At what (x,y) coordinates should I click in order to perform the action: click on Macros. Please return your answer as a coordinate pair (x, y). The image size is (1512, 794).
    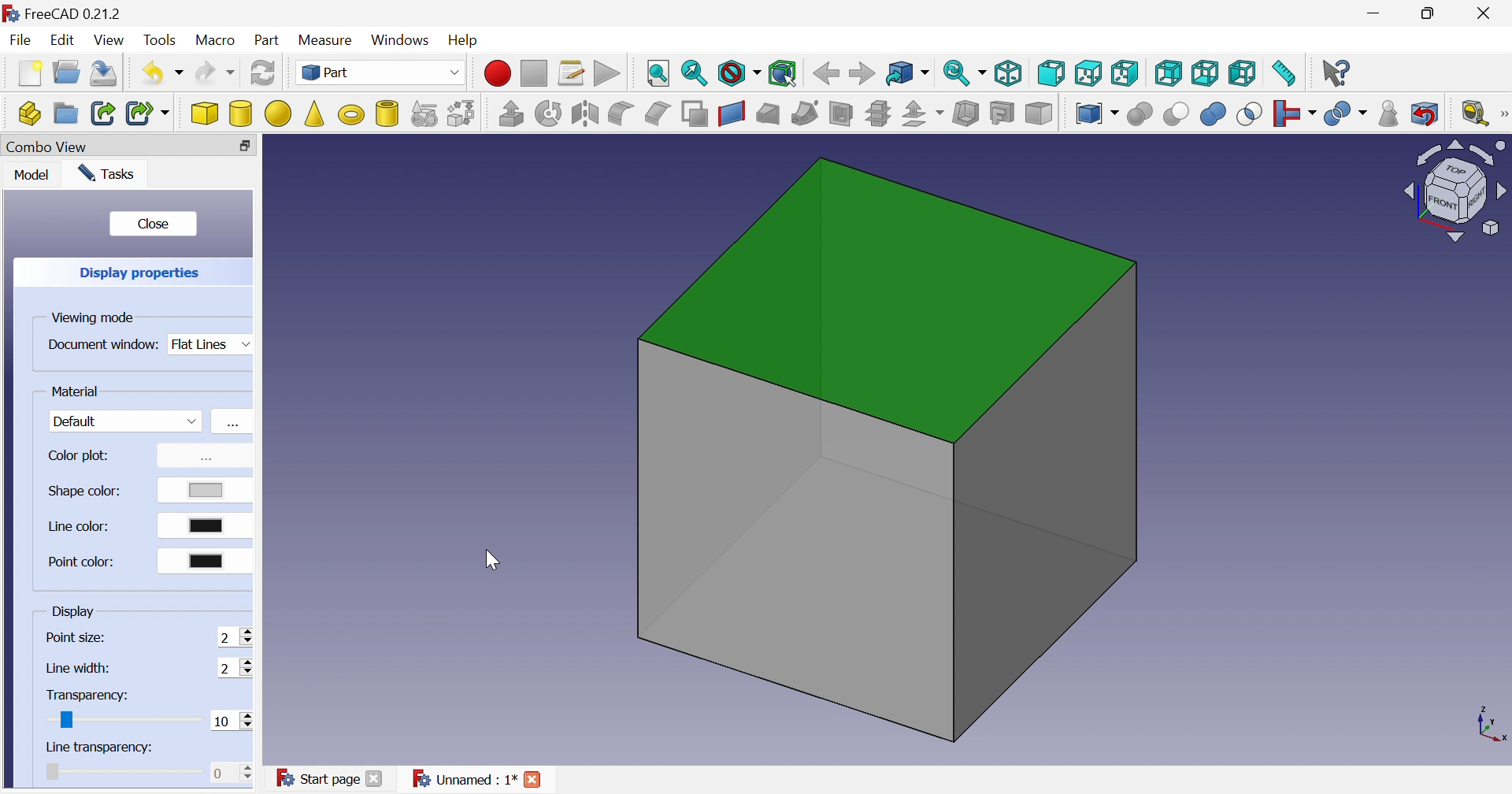
    Looking at the image, I should click on (573, 74).